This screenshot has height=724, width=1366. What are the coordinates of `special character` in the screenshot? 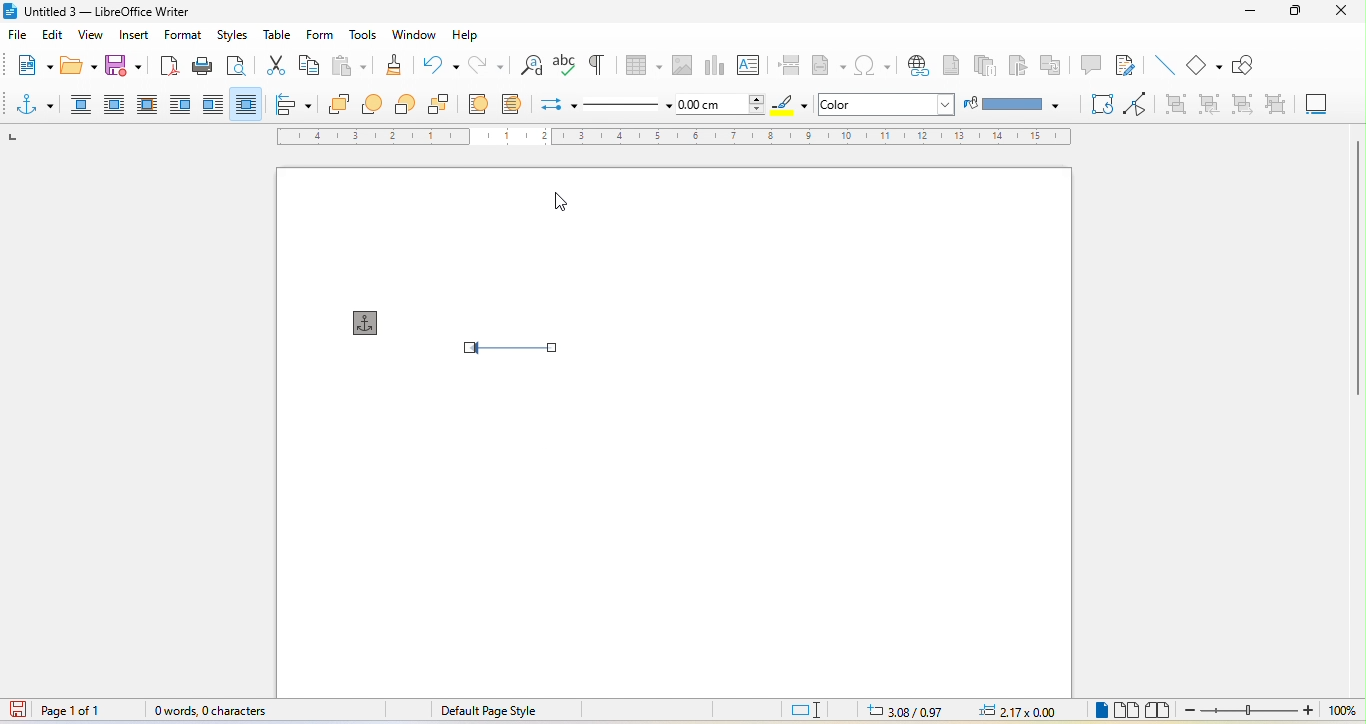 It's located at (873, 67).